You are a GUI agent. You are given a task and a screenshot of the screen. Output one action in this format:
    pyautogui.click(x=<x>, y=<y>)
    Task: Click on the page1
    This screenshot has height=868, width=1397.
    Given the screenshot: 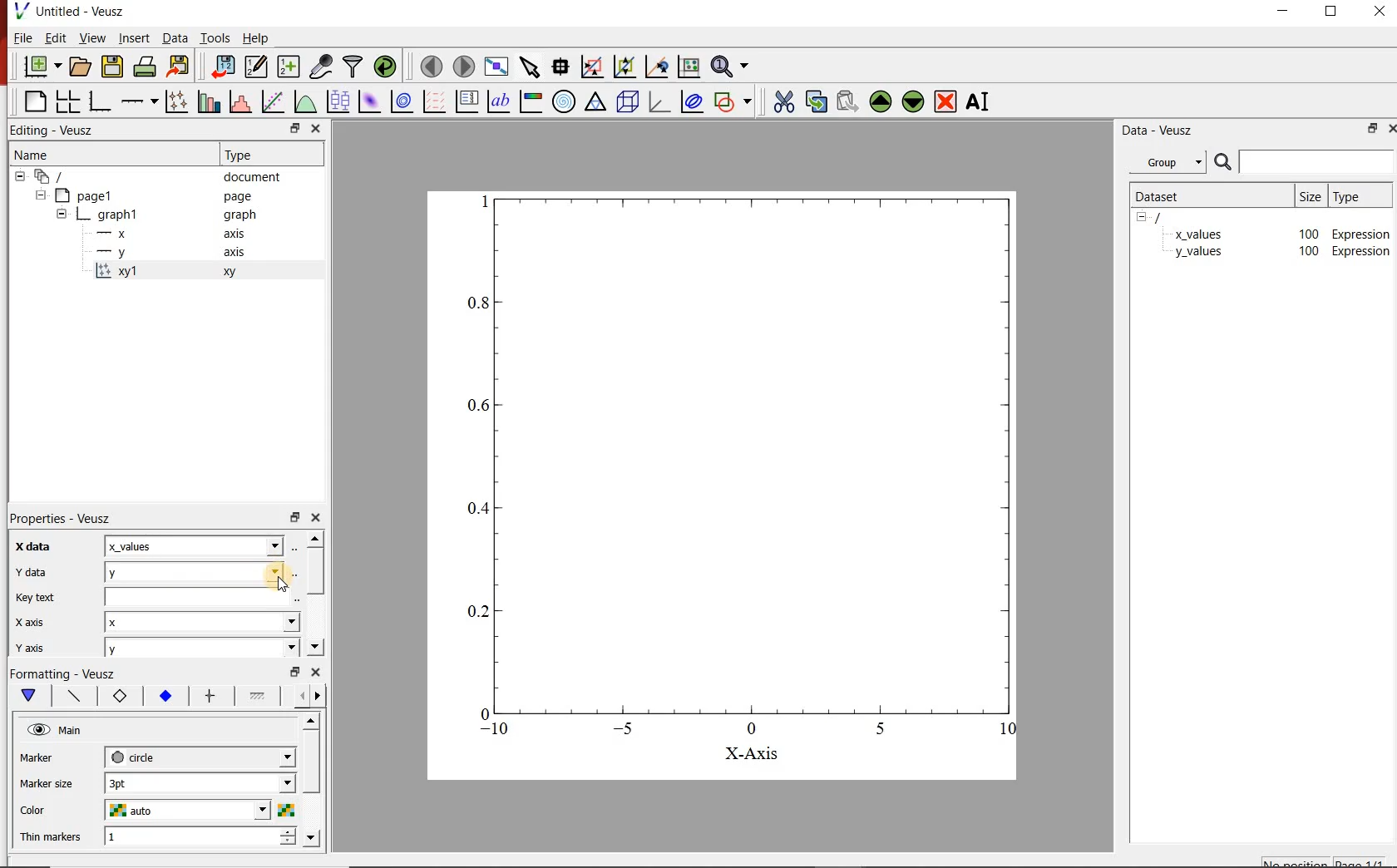 What is the action you would take?
    pyautogui.click(x=91, y=194)
    